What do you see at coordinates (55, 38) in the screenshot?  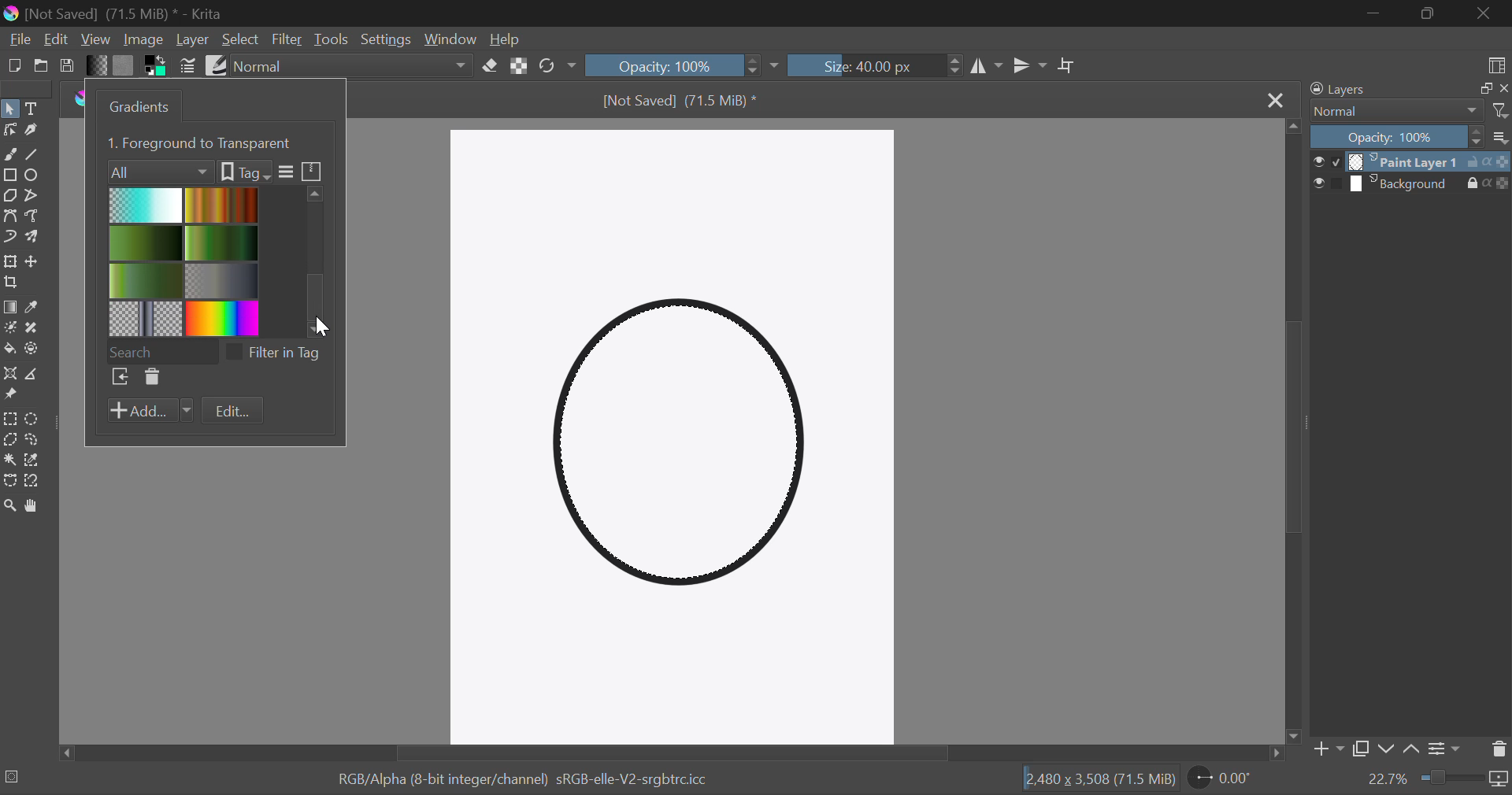 I see `Edit` at bounding box center [55, 38].